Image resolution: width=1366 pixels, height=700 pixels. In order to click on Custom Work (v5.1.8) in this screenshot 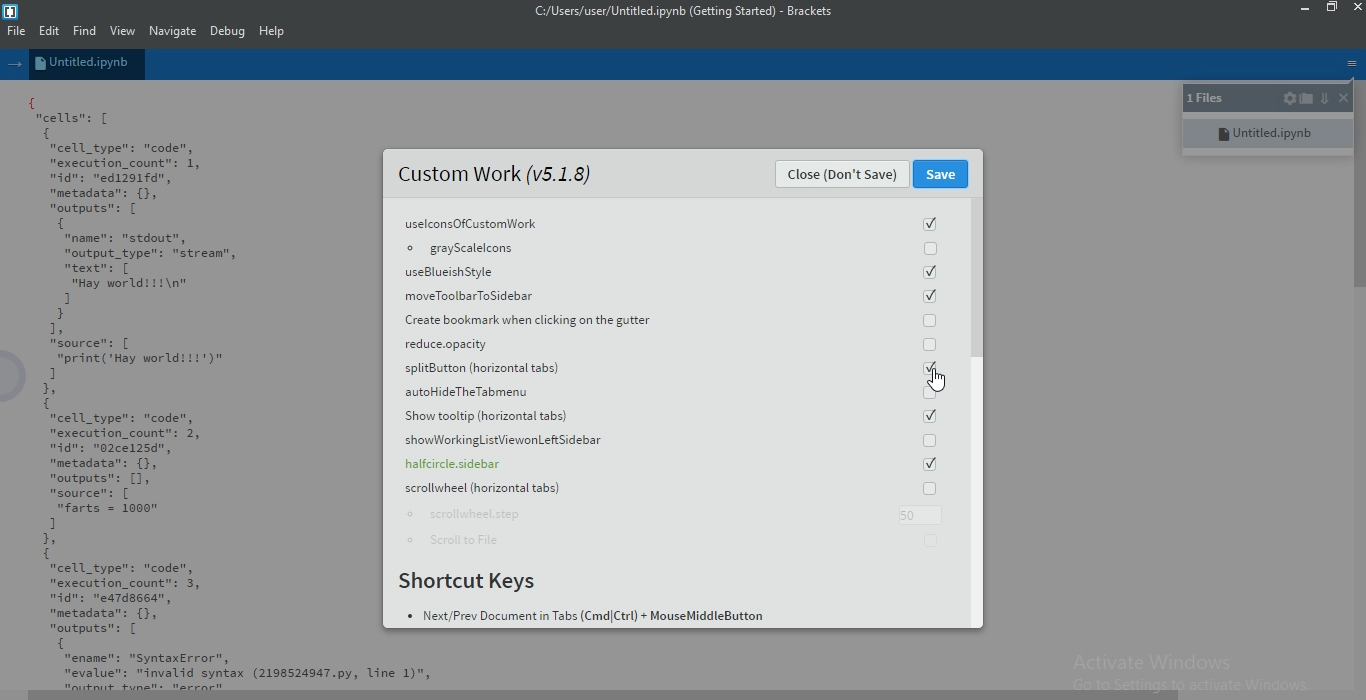, I will do `click(506, 171)`.